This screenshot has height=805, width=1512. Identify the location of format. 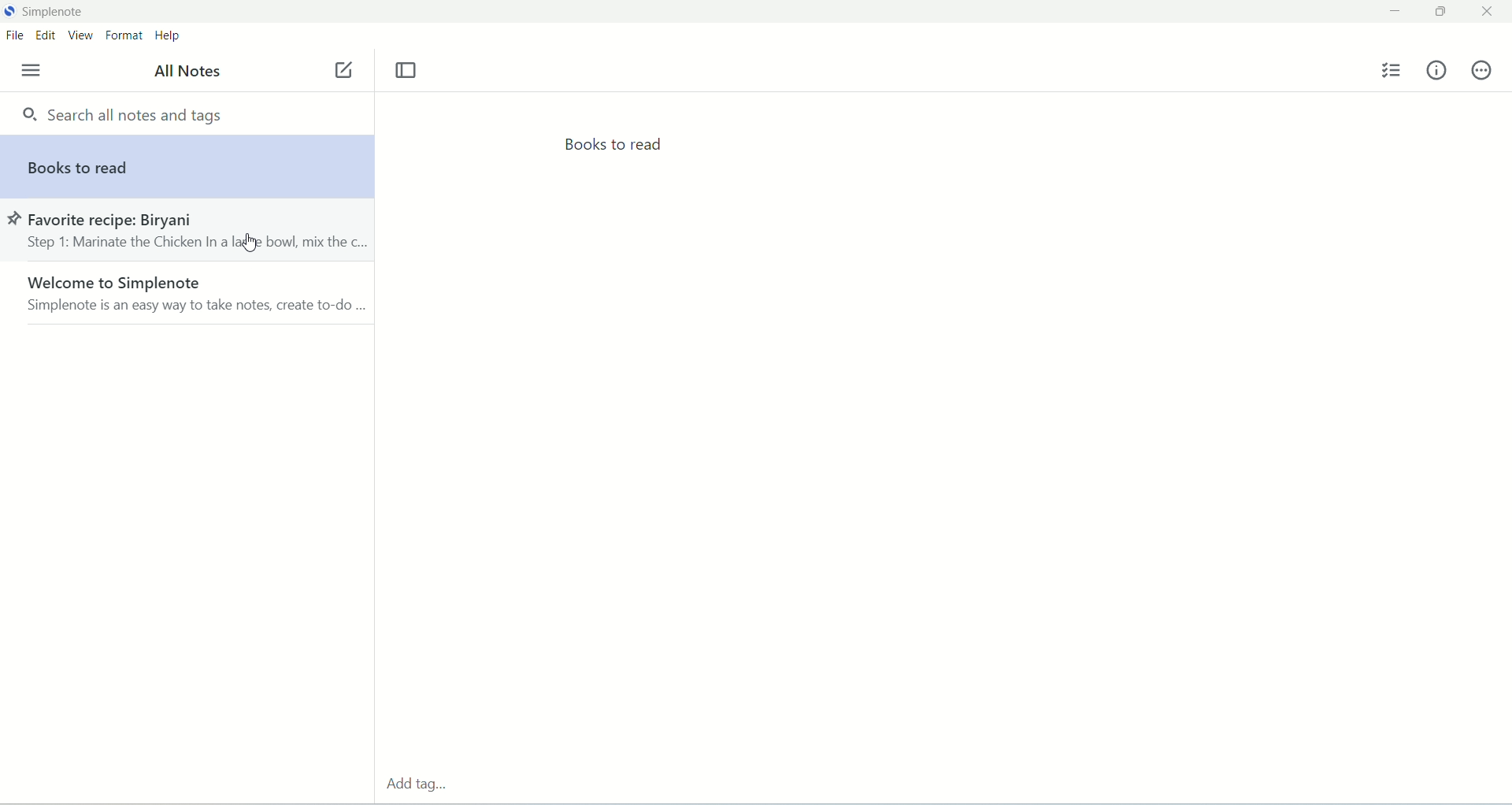
(124, 38).